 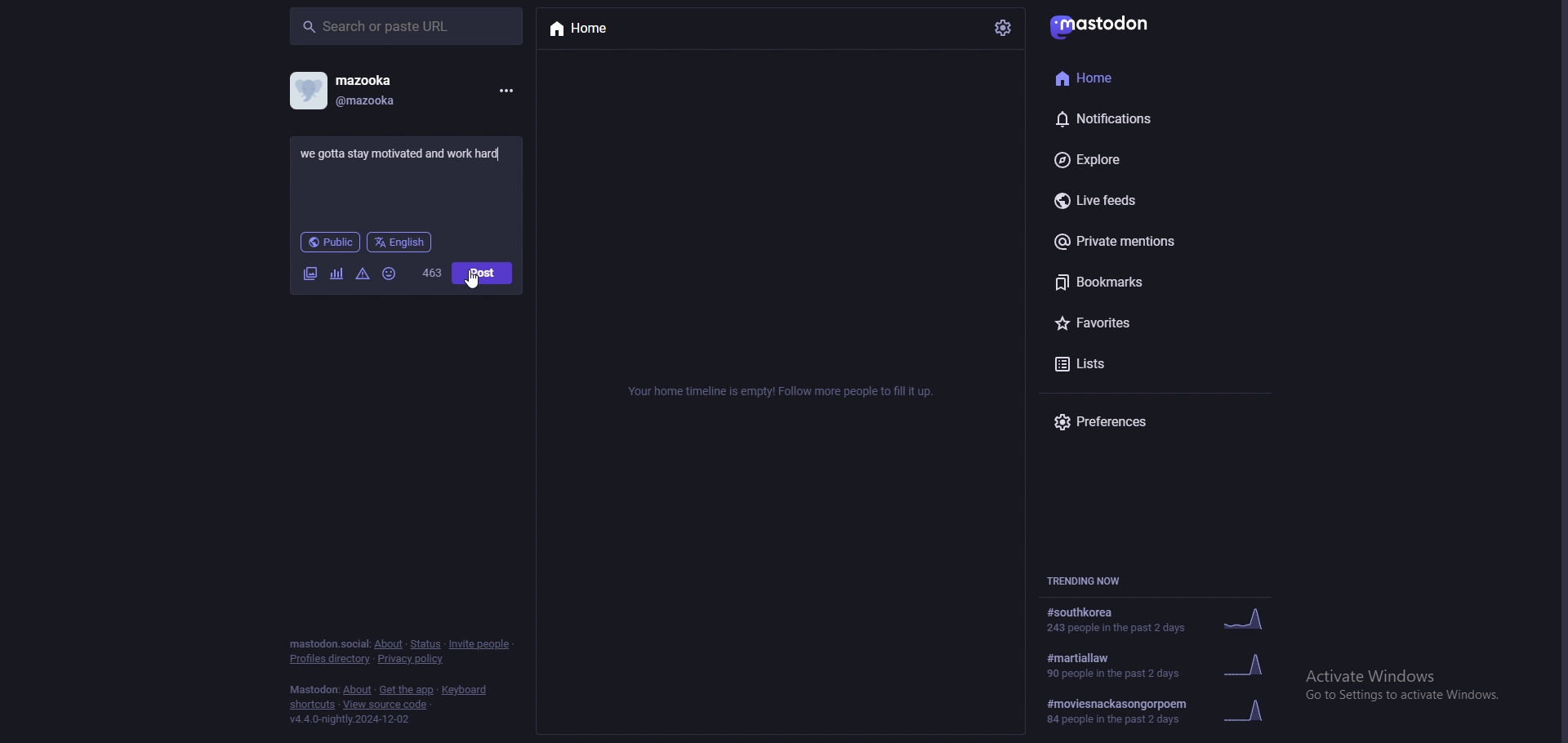 I want to click on about, so click(x=389, y=645).